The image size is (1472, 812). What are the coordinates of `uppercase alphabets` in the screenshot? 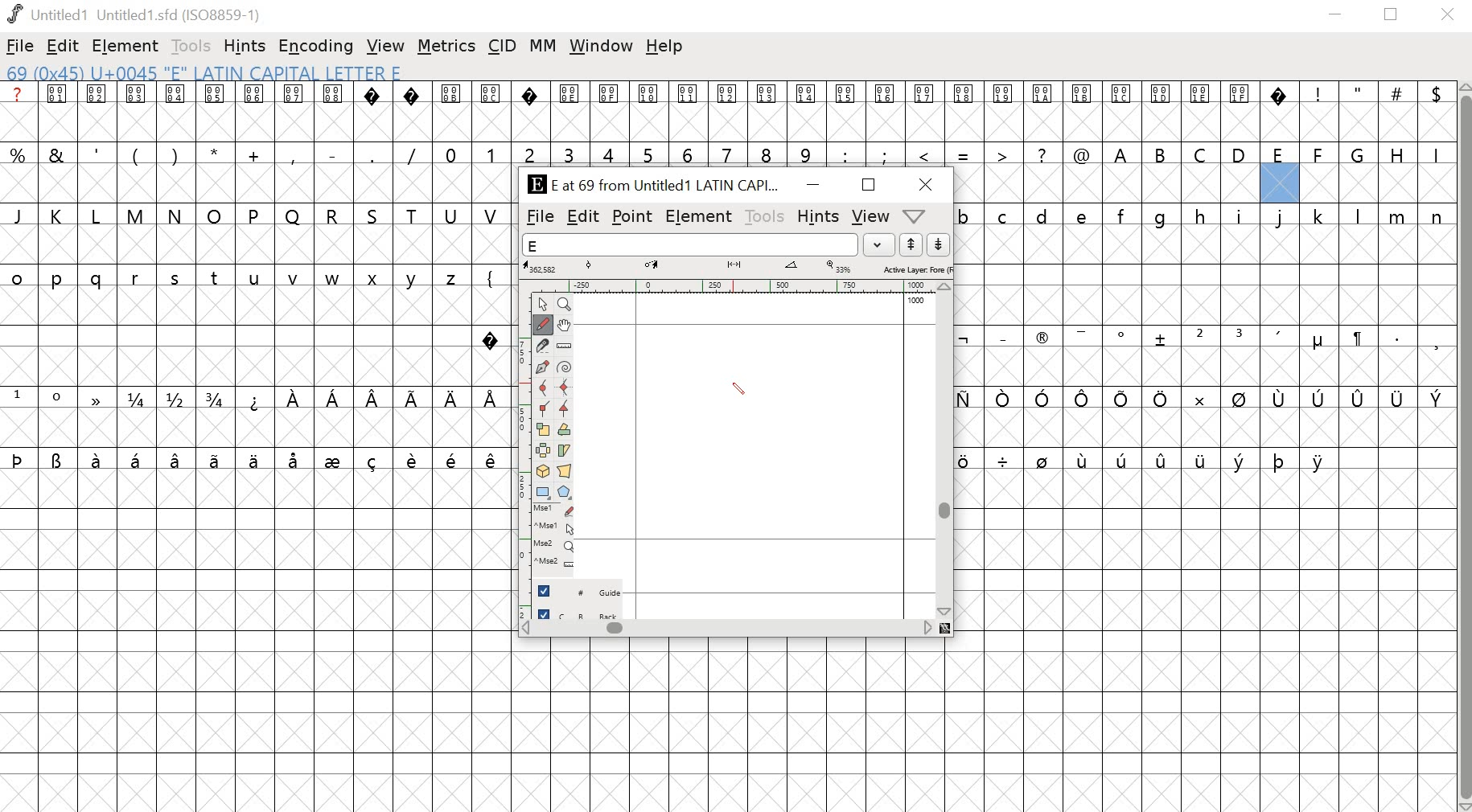 It's located at (254, 217).